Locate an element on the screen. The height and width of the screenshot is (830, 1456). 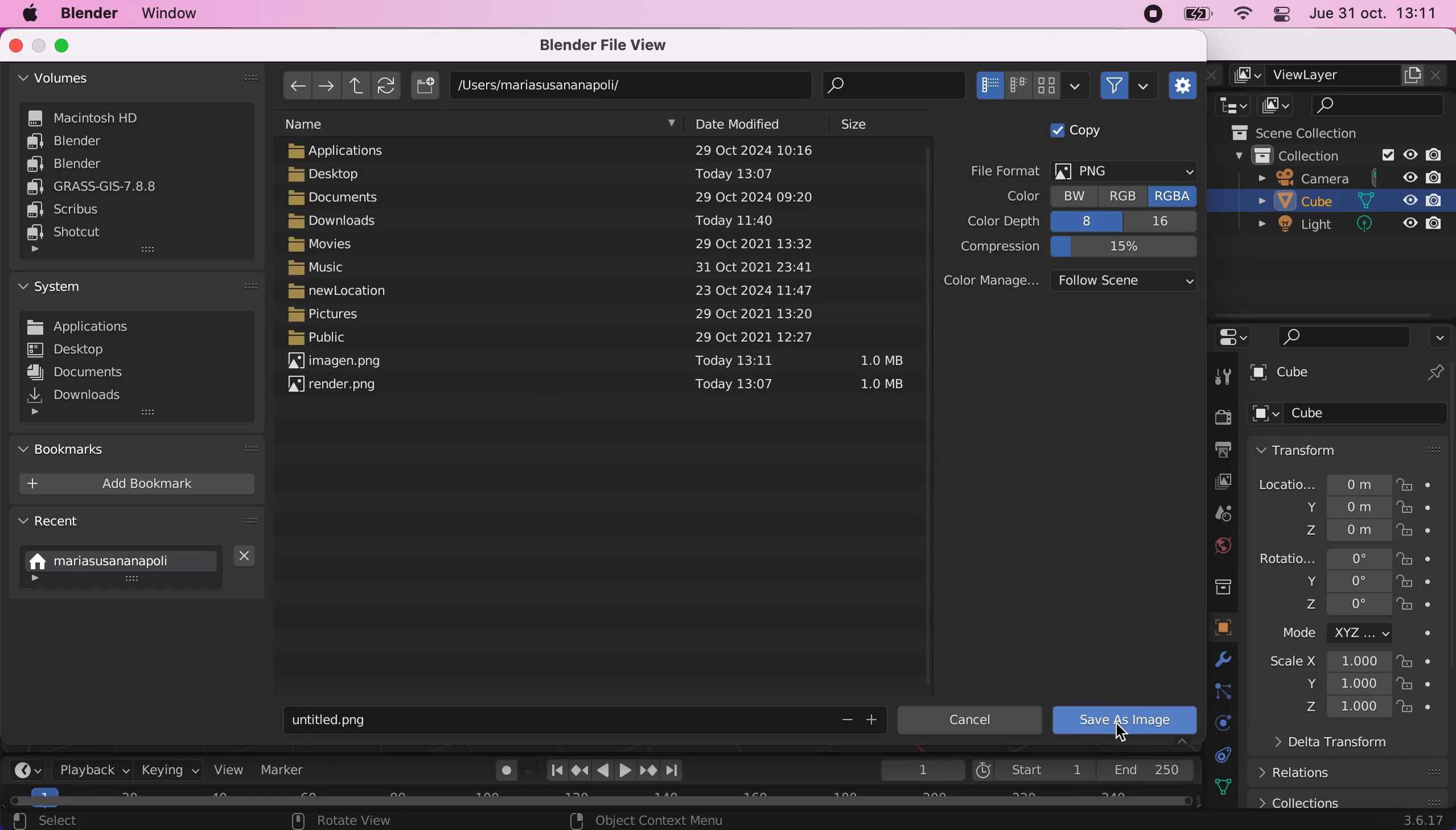
playback is located at coordinates (91, 771).